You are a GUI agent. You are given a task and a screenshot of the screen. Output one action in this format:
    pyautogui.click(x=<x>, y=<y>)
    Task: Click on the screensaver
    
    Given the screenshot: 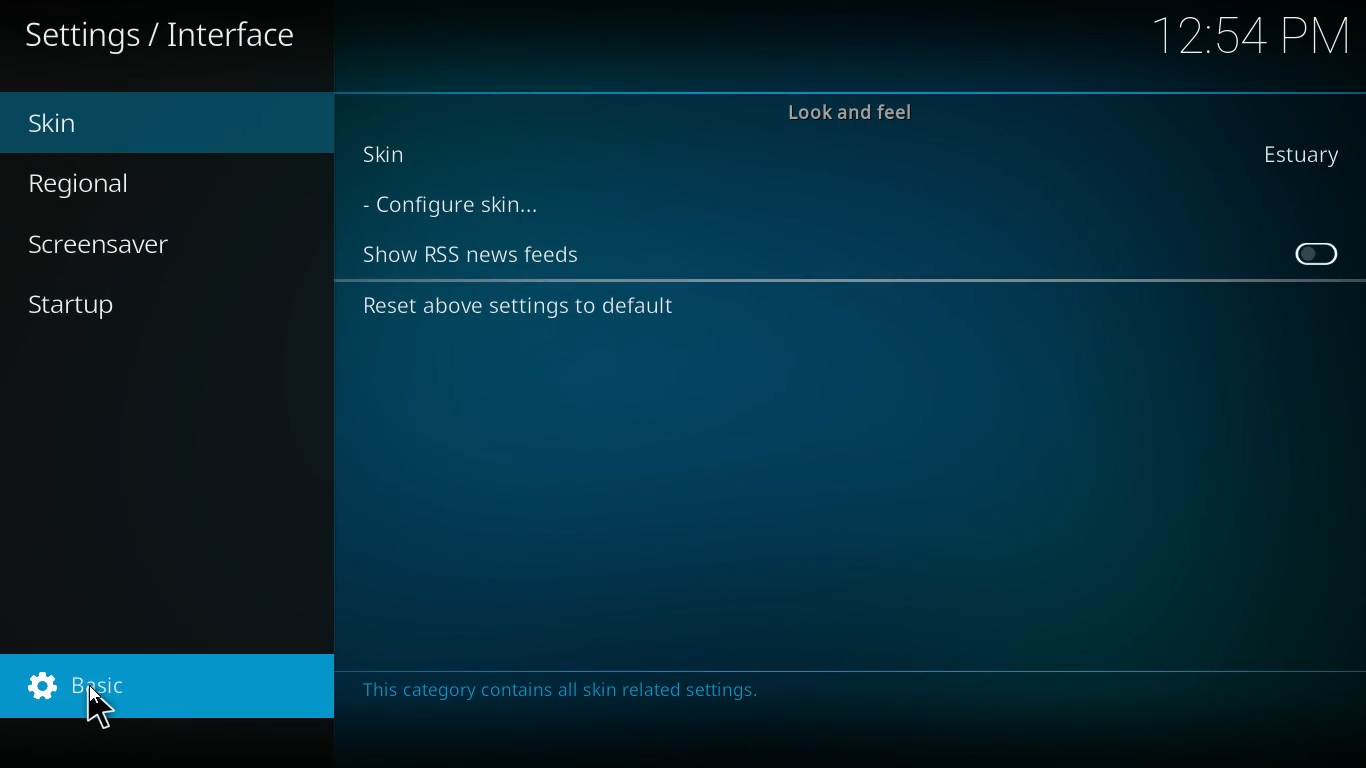 What is the action you would take?
    pyautogui.click(x=126, y=242)
    